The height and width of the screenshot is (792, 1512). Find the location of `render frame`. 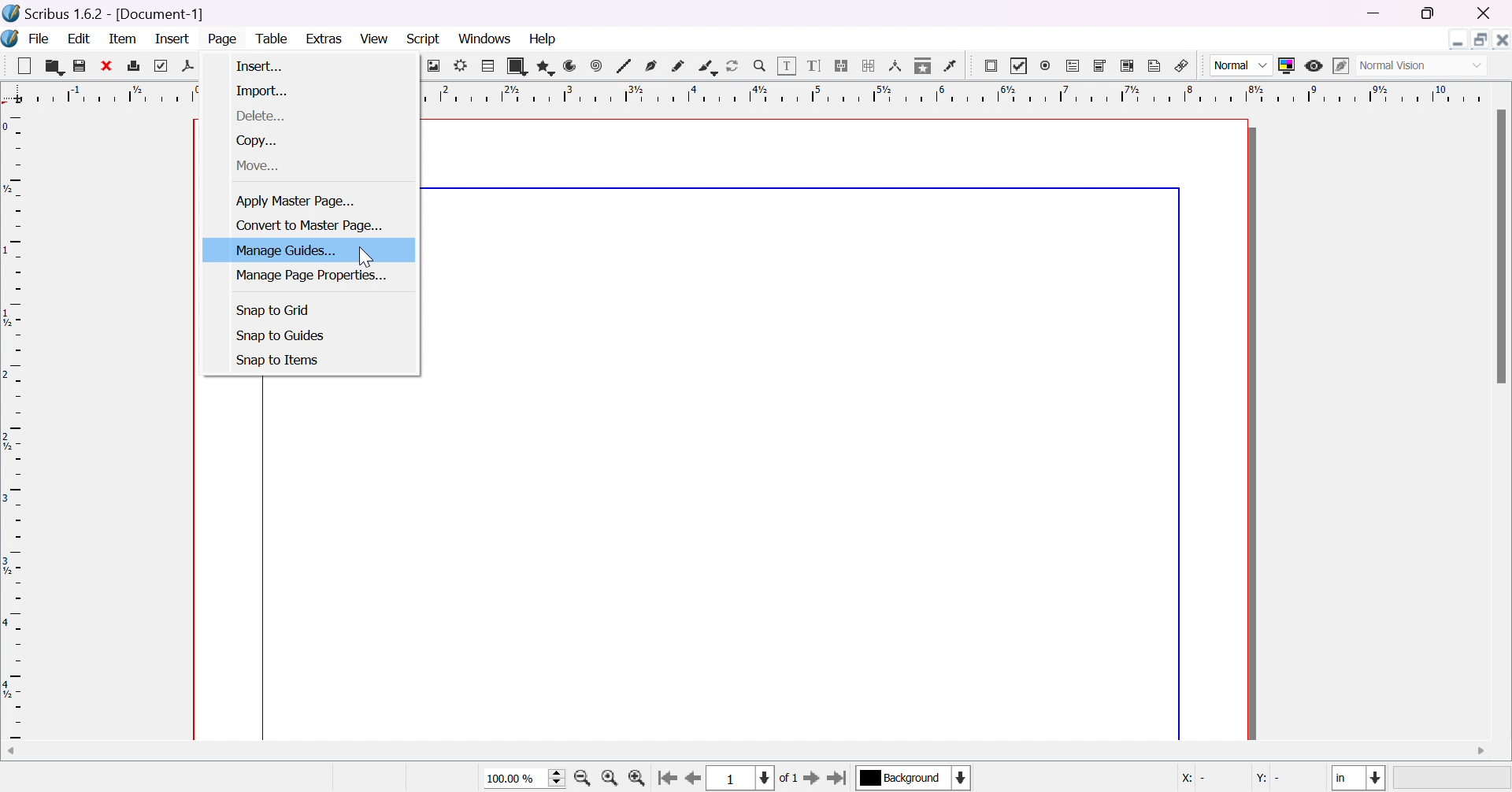

render frame is located at coordinates (464, 65).